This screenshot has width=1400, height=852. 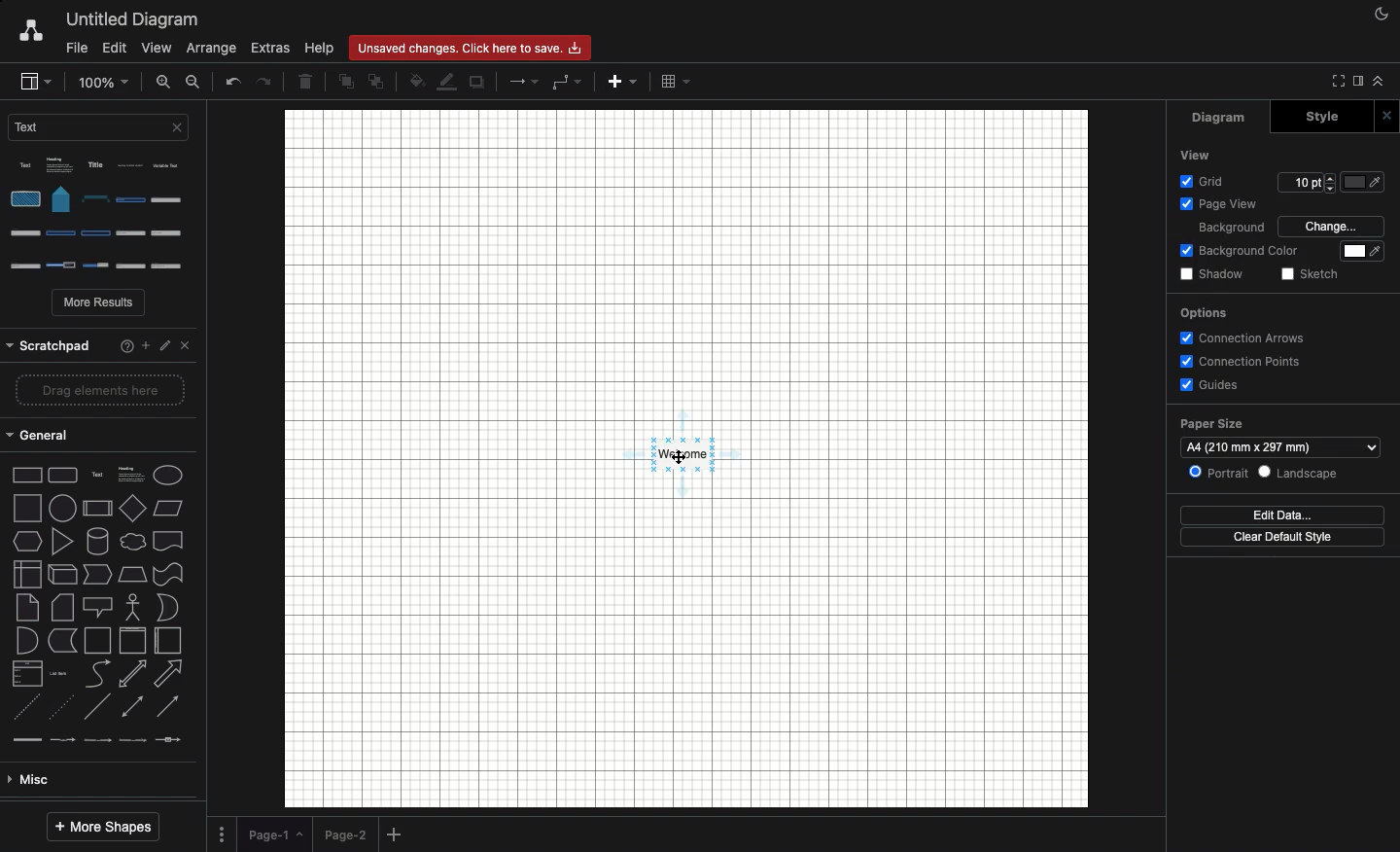 What do you see at coordinates (620, 85) in the screenshot?
I see `Add` at bounding box center [620, 85].